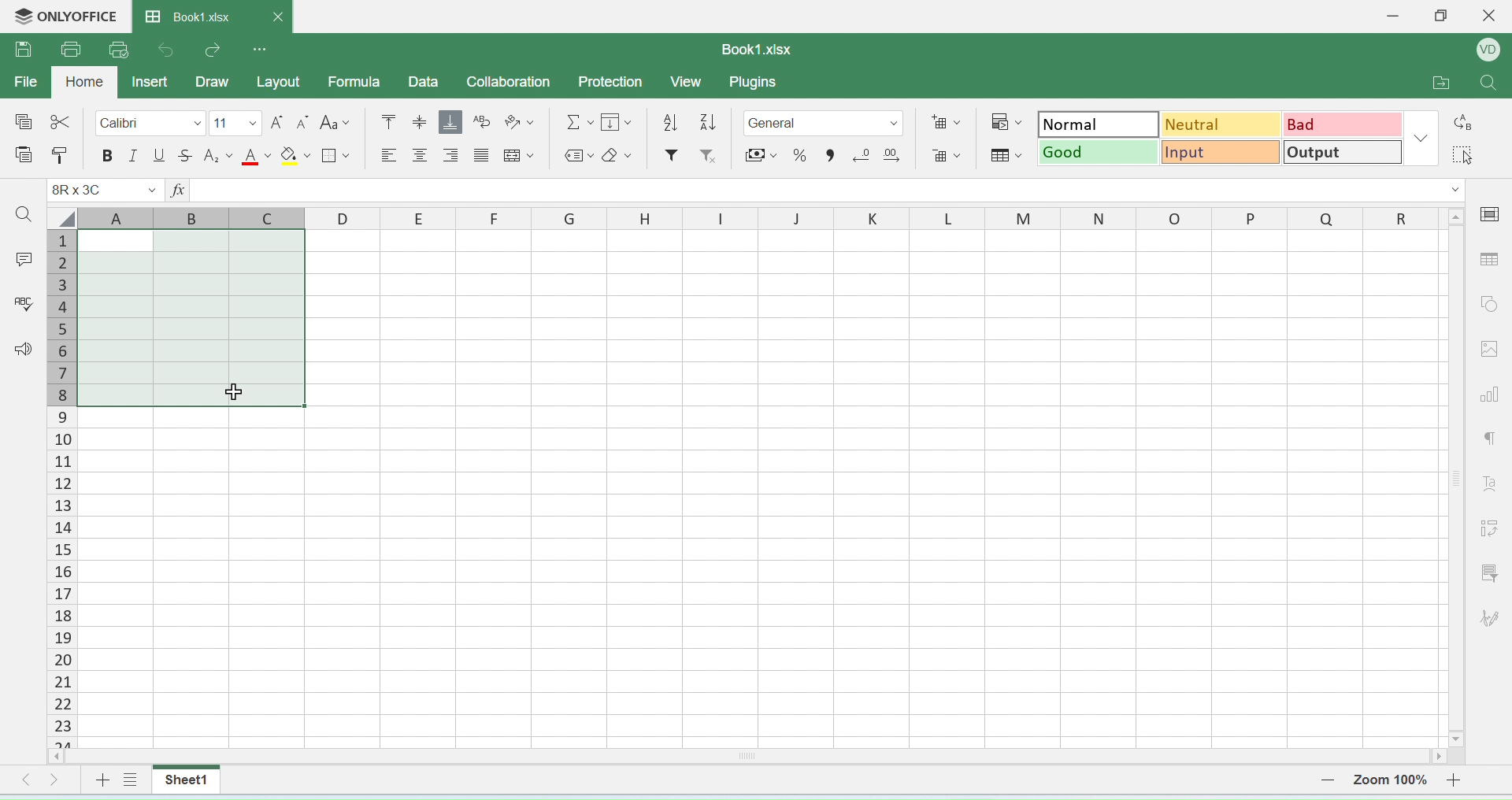 The height and width of the screenshot is (800, 1512). What do you see at coordinates (1388, 779) in the screenshot?
I see `zoom number` at bounding box center [1388, 779].